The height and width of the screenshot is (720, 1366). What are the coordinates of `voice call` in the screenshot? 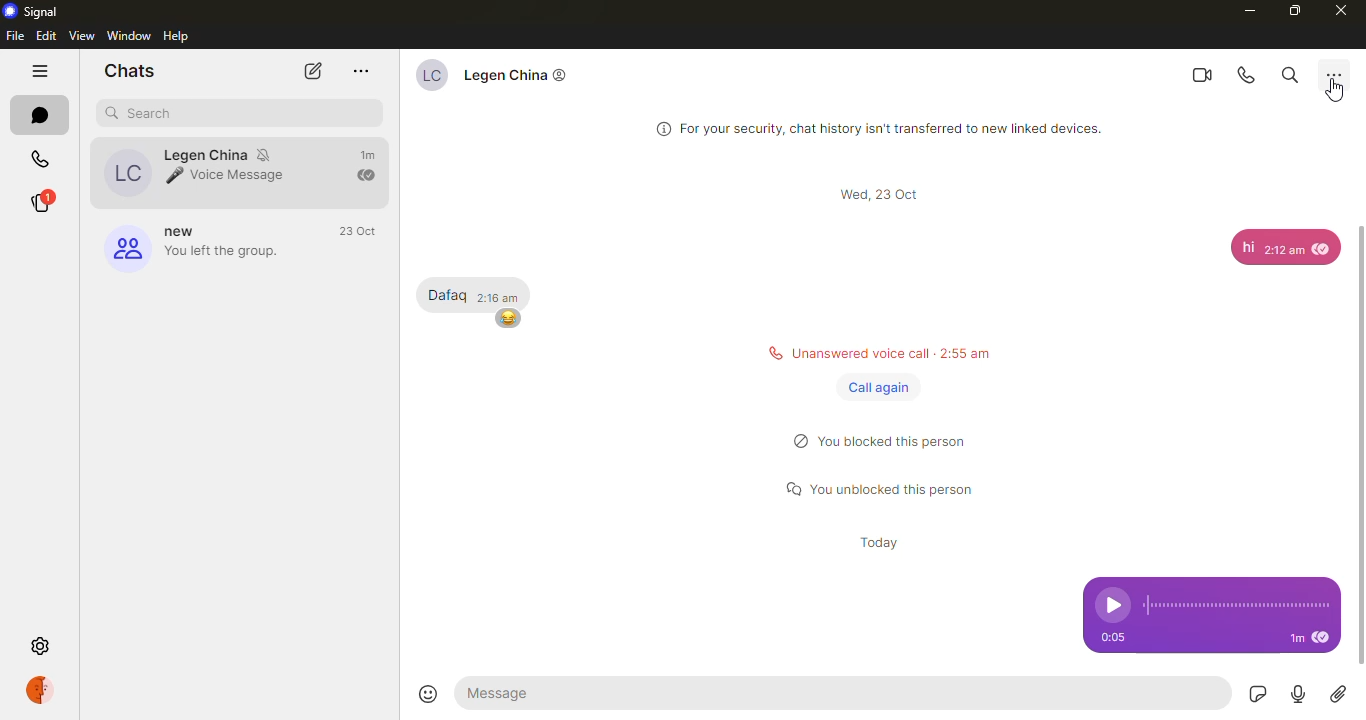 It's located at (1247, 73).